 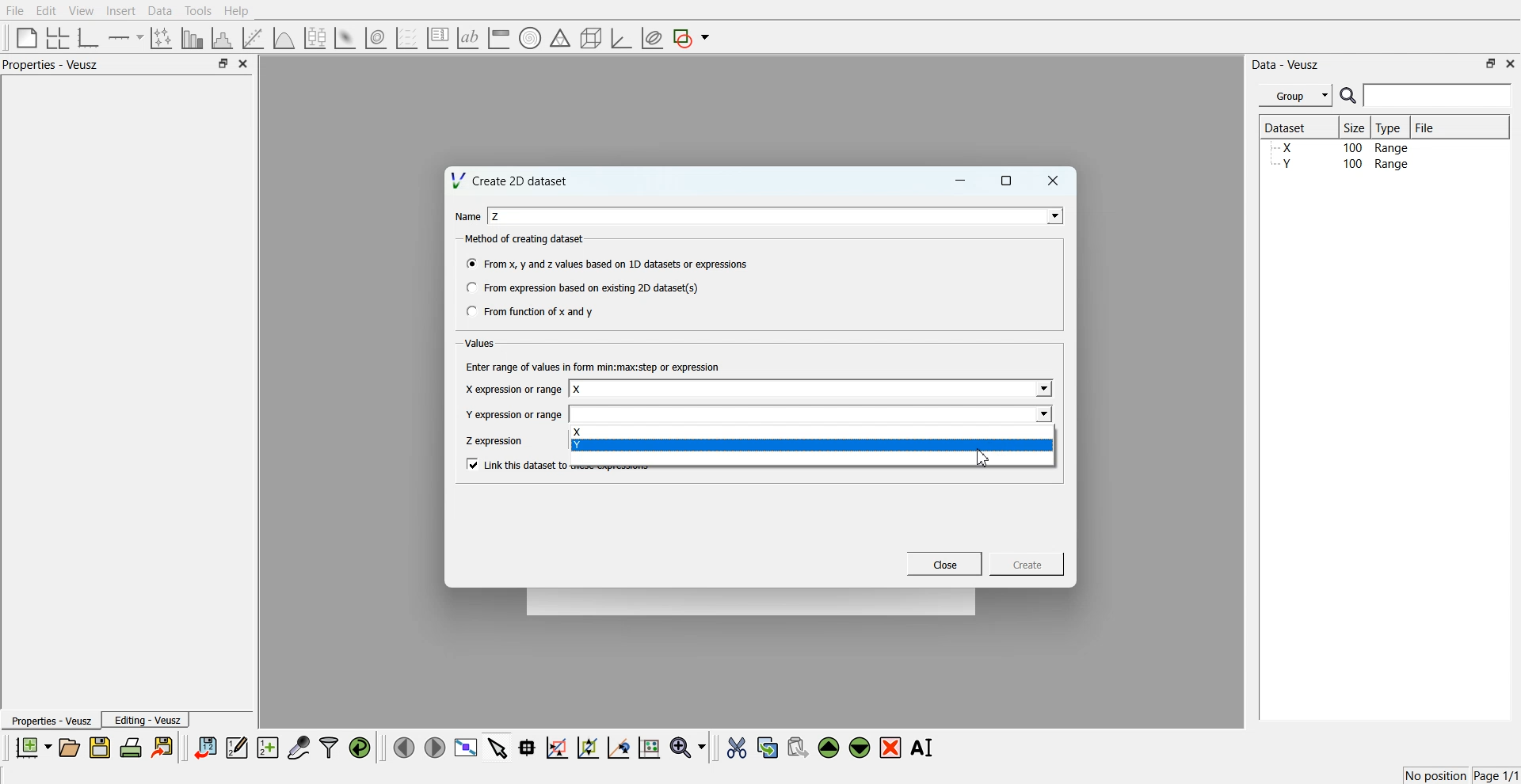 I want to click on MX expression or range, so click(x=513, y=389).